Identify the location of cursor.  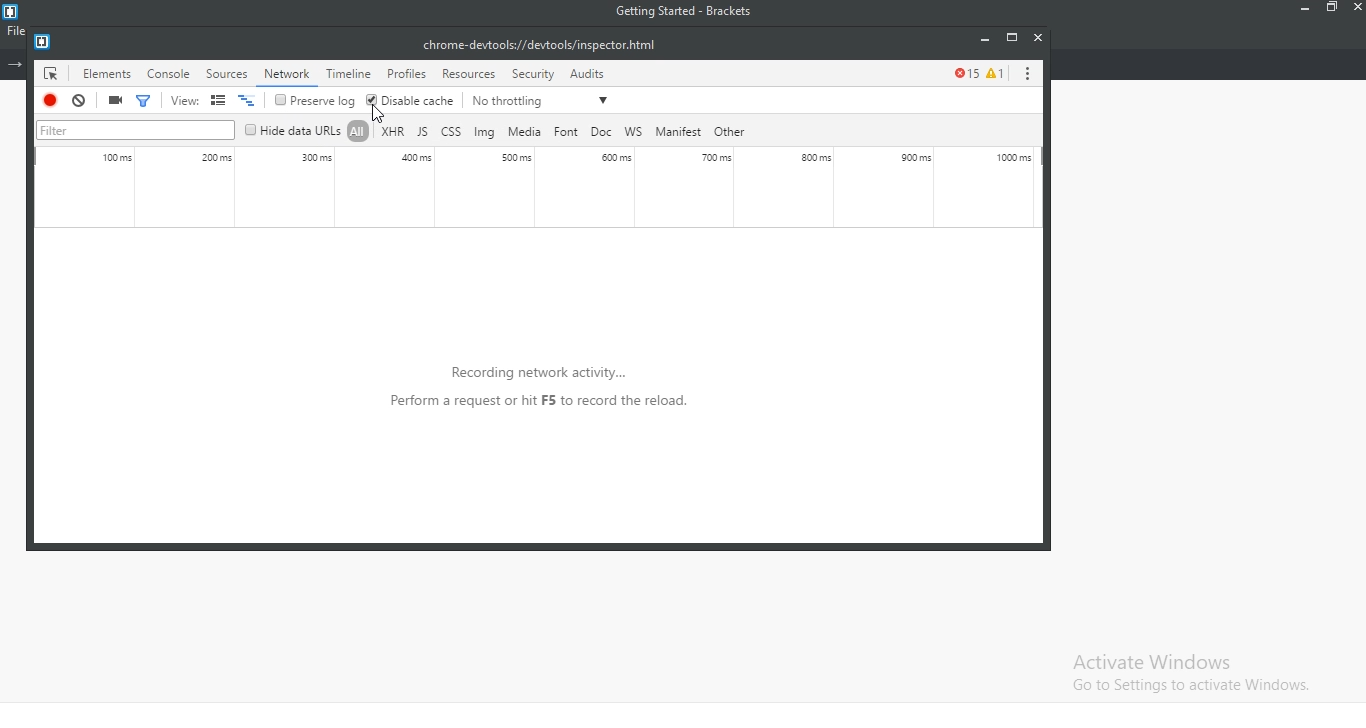
(382, 114).